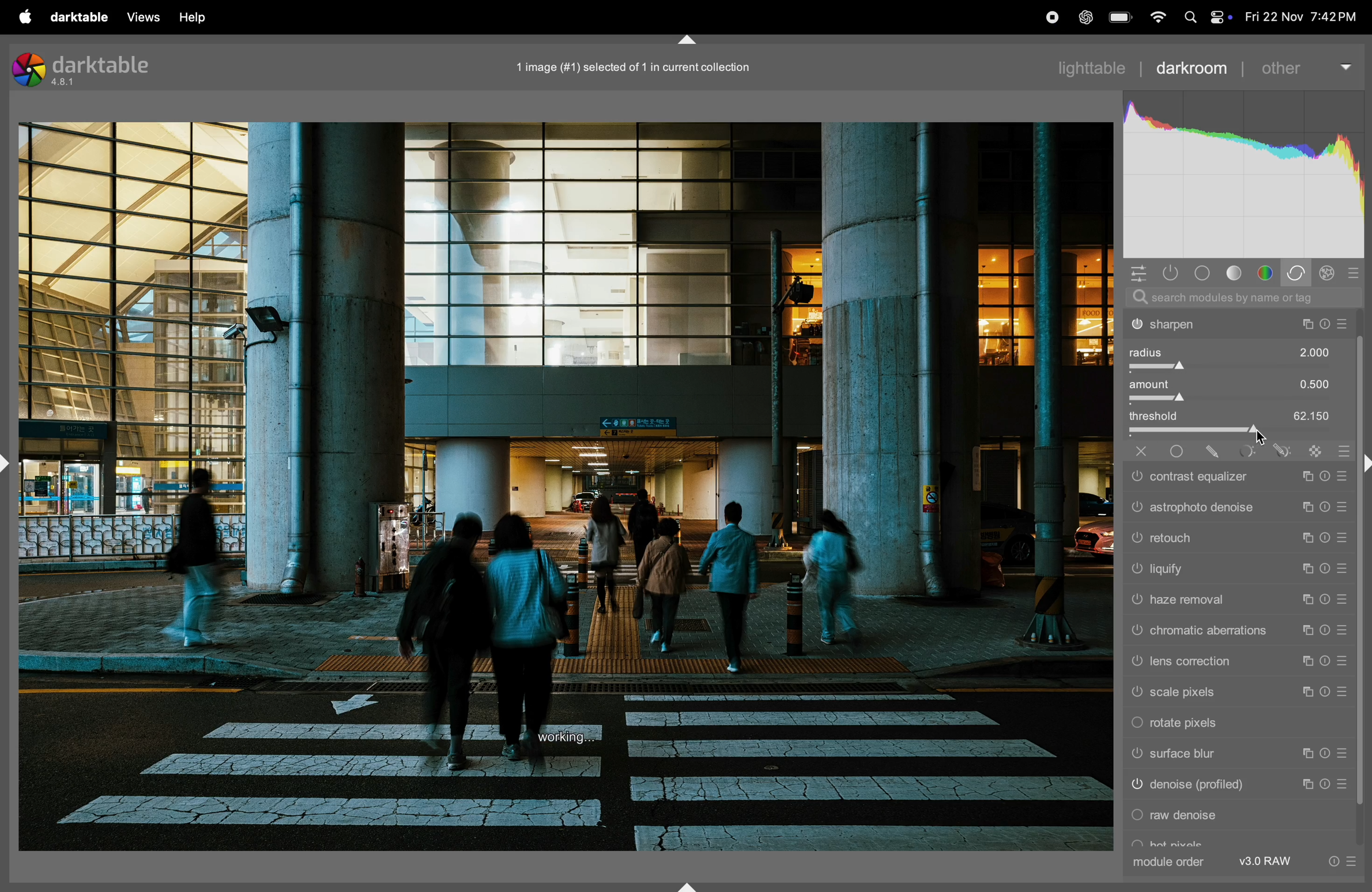 The image size is (1372, 892). Describe the element at coordinates (1099, 66) in the screenshot. I see `light table` at that location.